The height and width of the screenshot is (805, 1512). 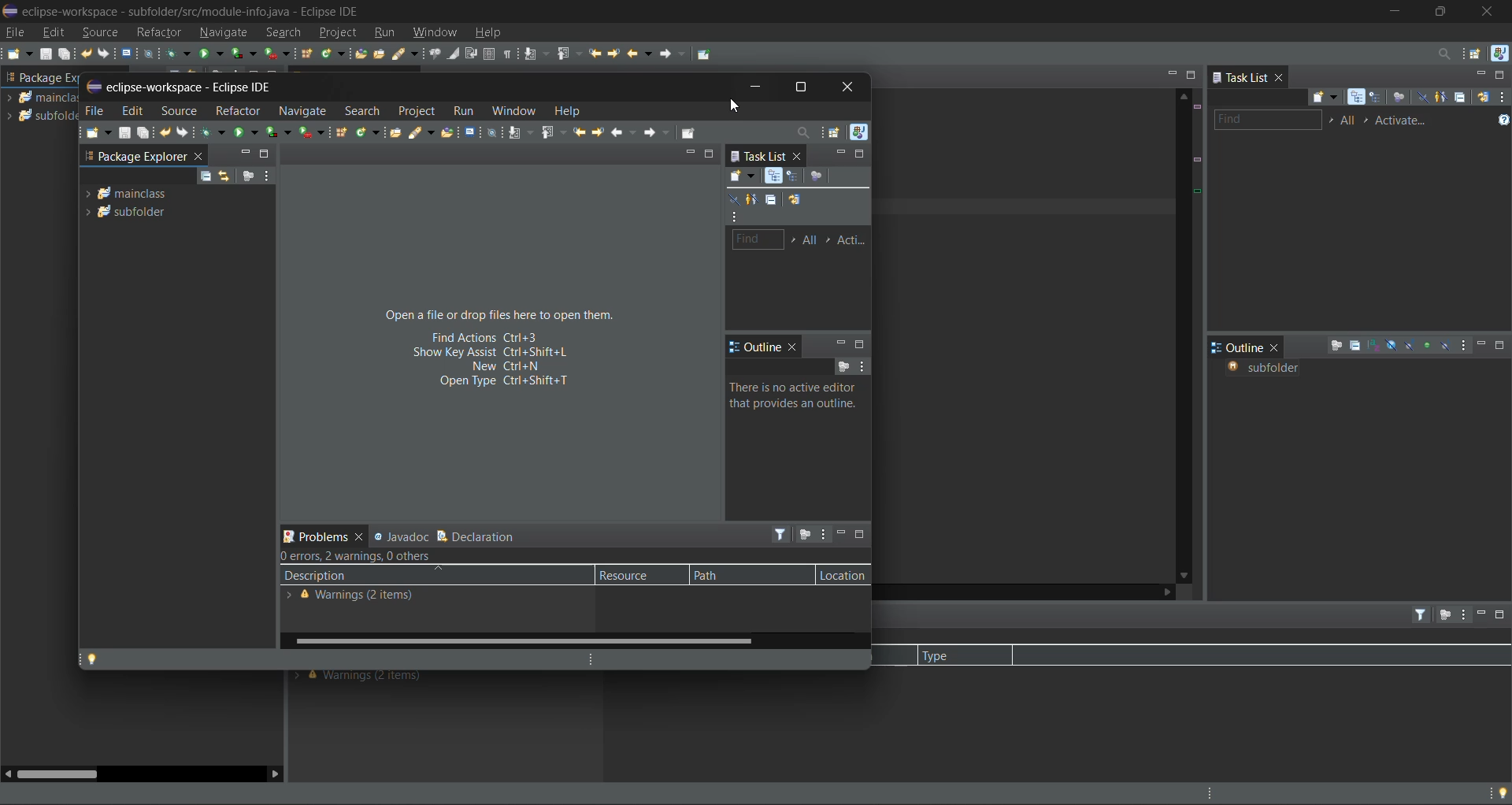 What do you see at coordinates (456, 55) in the screenshot?
I see `toggle mark occurences` at bounding box center [456, 55].